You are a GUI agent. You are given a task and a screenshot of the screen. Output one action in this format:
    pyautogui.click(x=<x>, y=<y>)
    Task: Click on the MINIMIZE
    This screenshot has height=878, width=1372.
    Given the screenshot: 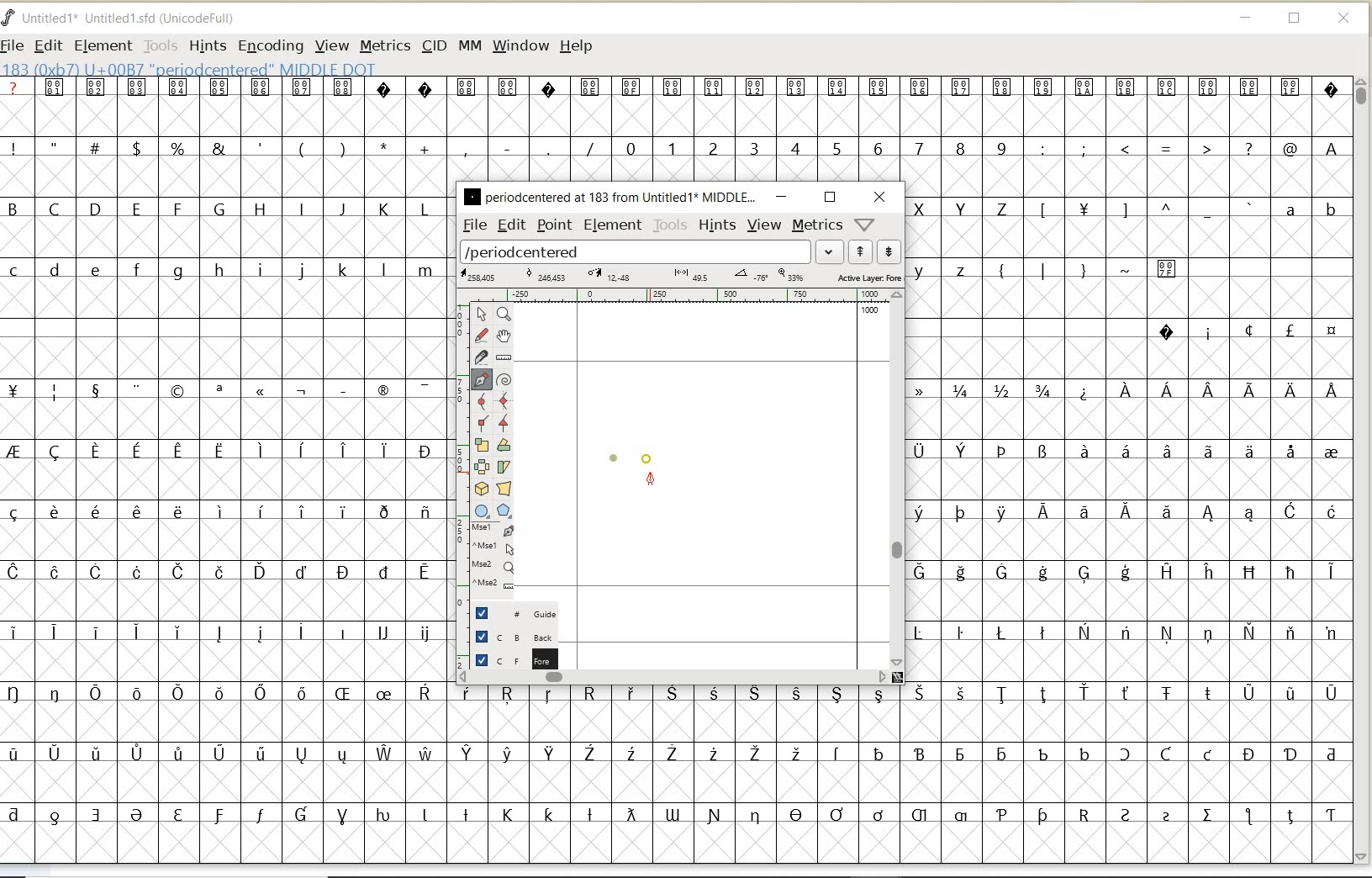 What is the action you would take?
    pyautogui.click(x=1247, y=20)
    